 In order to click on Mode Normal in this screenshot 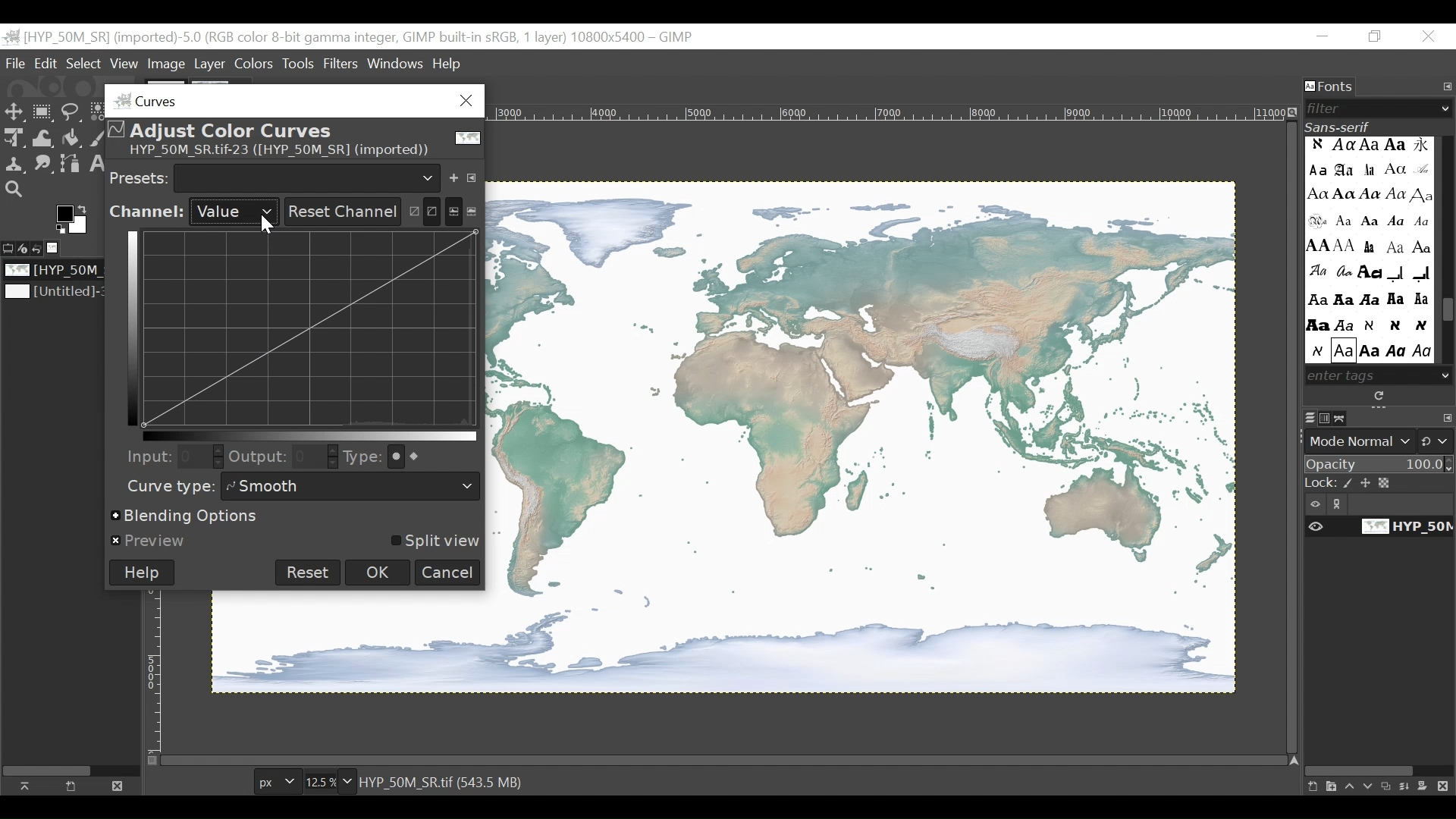, I will do `click(1381, 441)`.